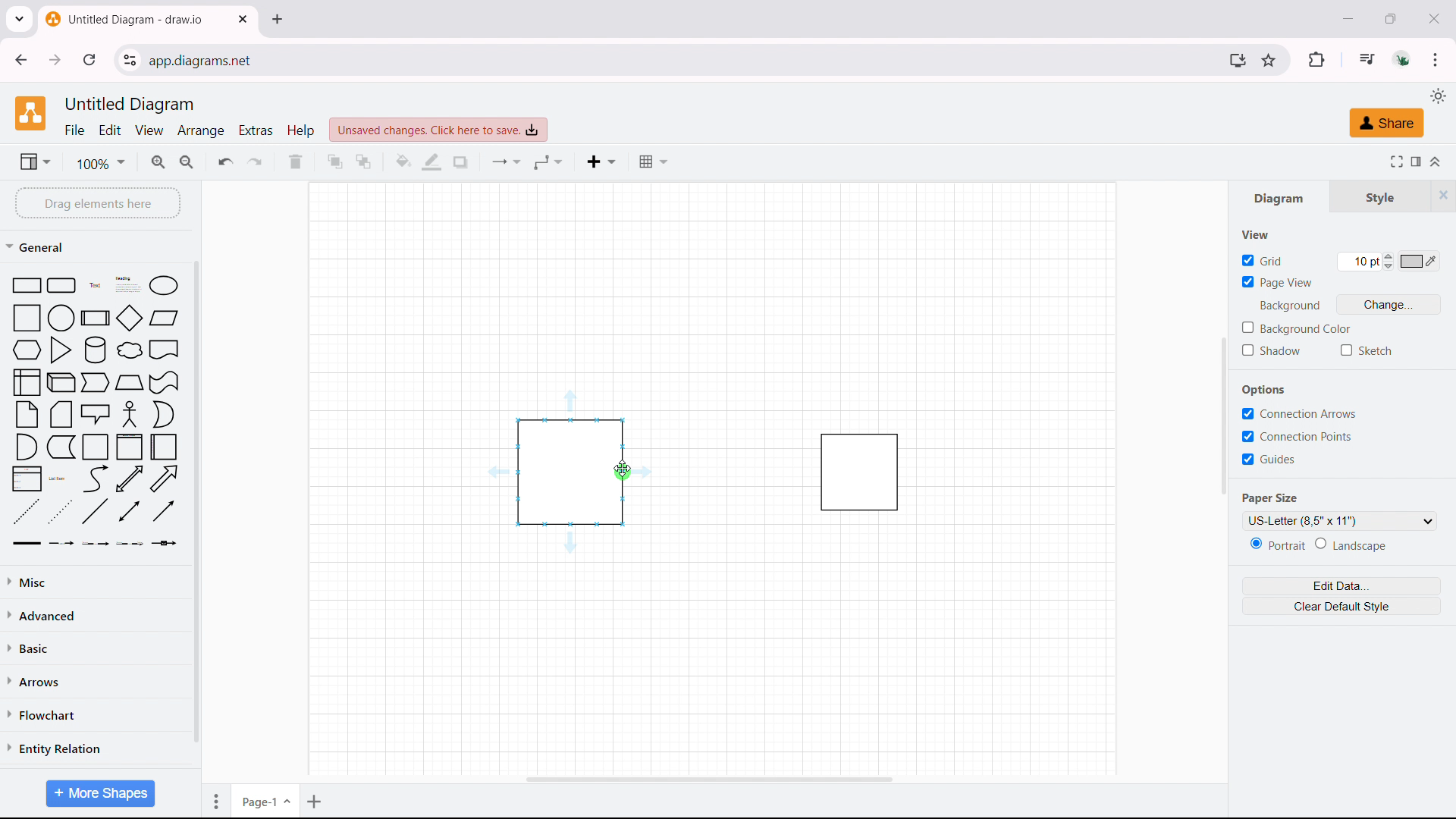 This screenshot has height=819, width=1456. Describe the element at coordinates (34, 161) in the screenshot. I see `view` at that location.